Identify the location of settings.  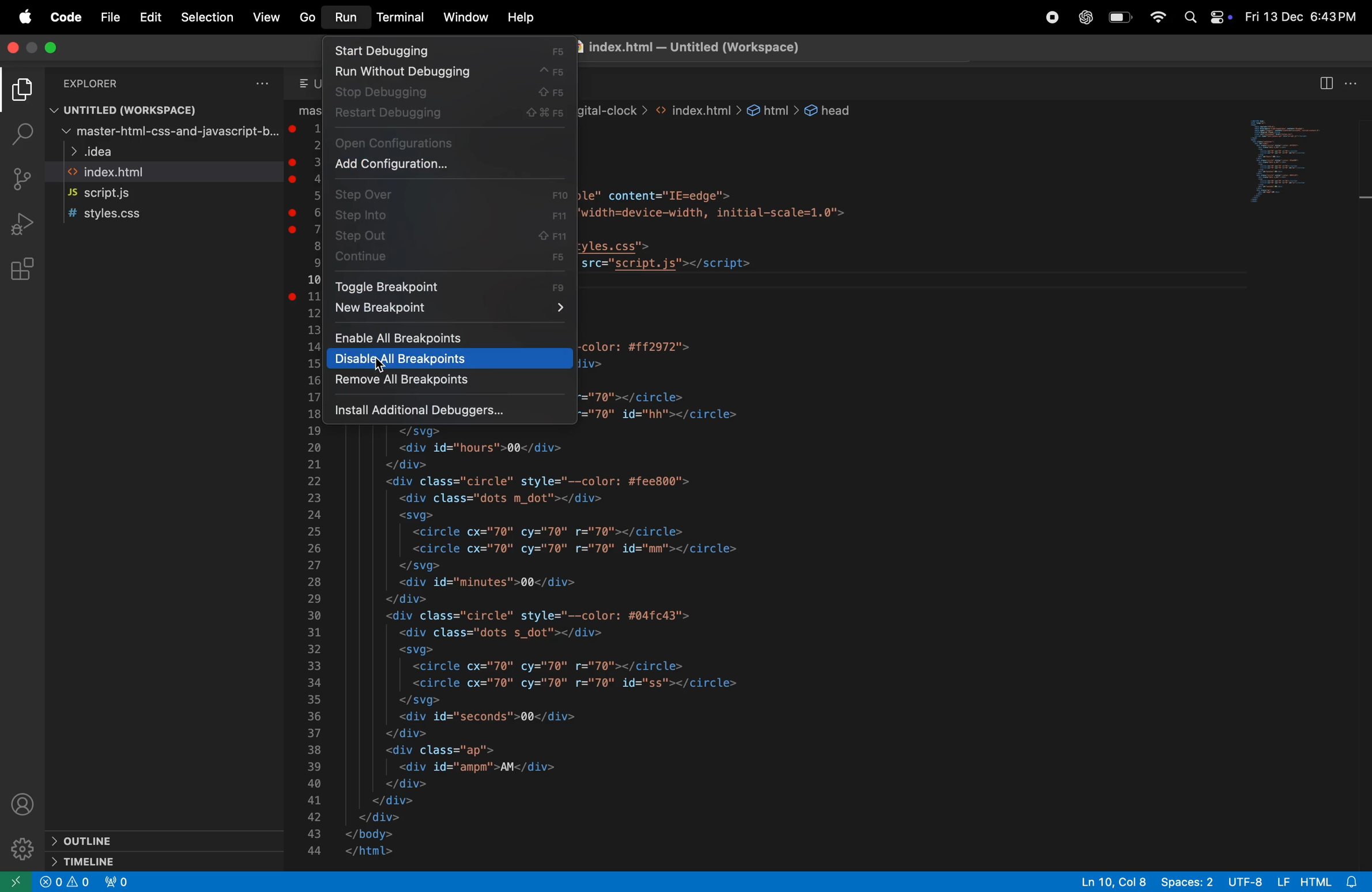
(21, 849).